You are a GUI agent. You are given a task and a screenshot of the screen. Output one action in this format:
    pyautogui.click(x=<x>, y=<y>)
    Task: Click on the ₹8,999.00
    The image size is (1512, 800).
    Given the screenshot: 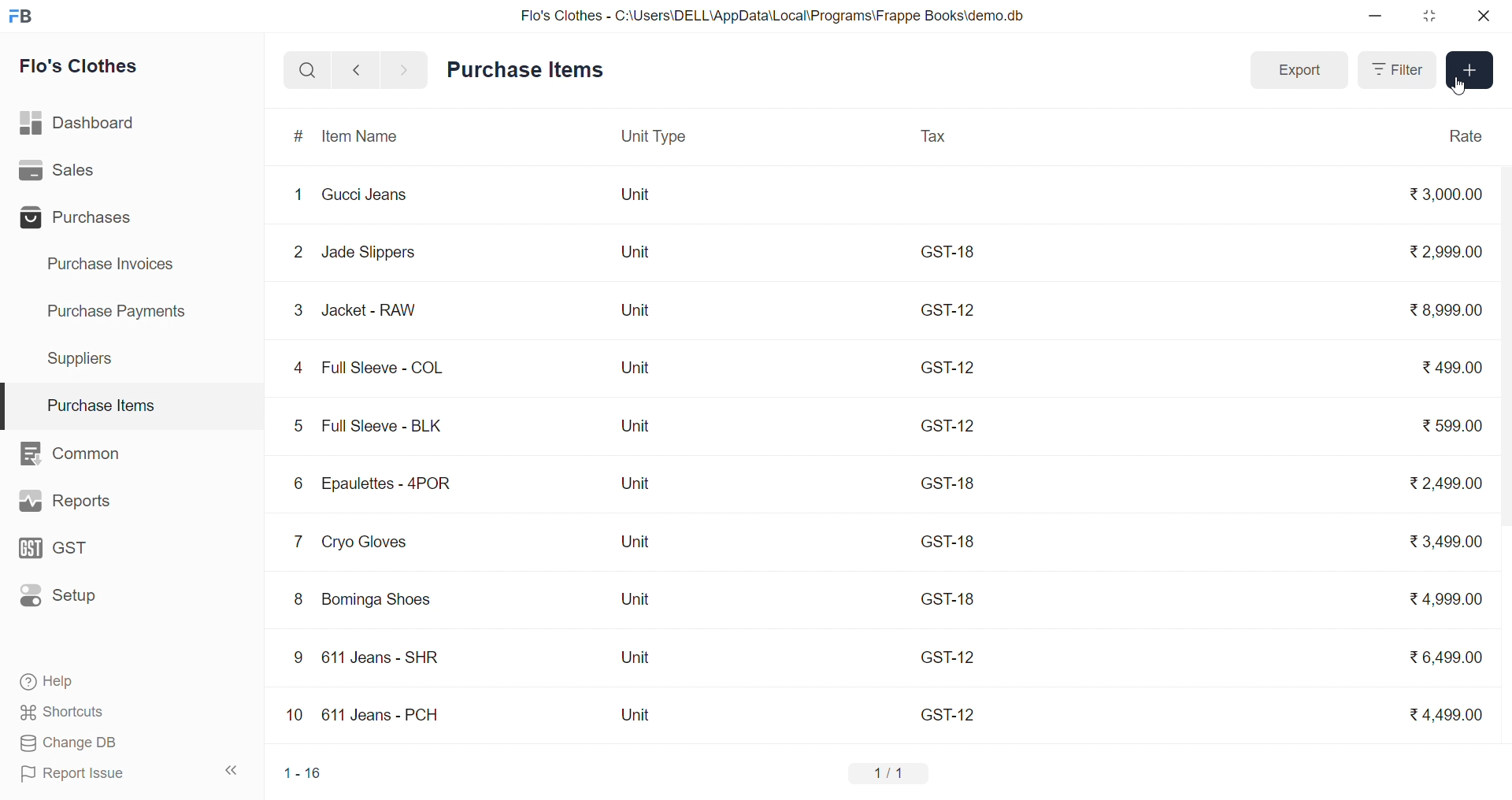 What is the action you would take?
    pyautogui.click(x=1441, y=313)
    